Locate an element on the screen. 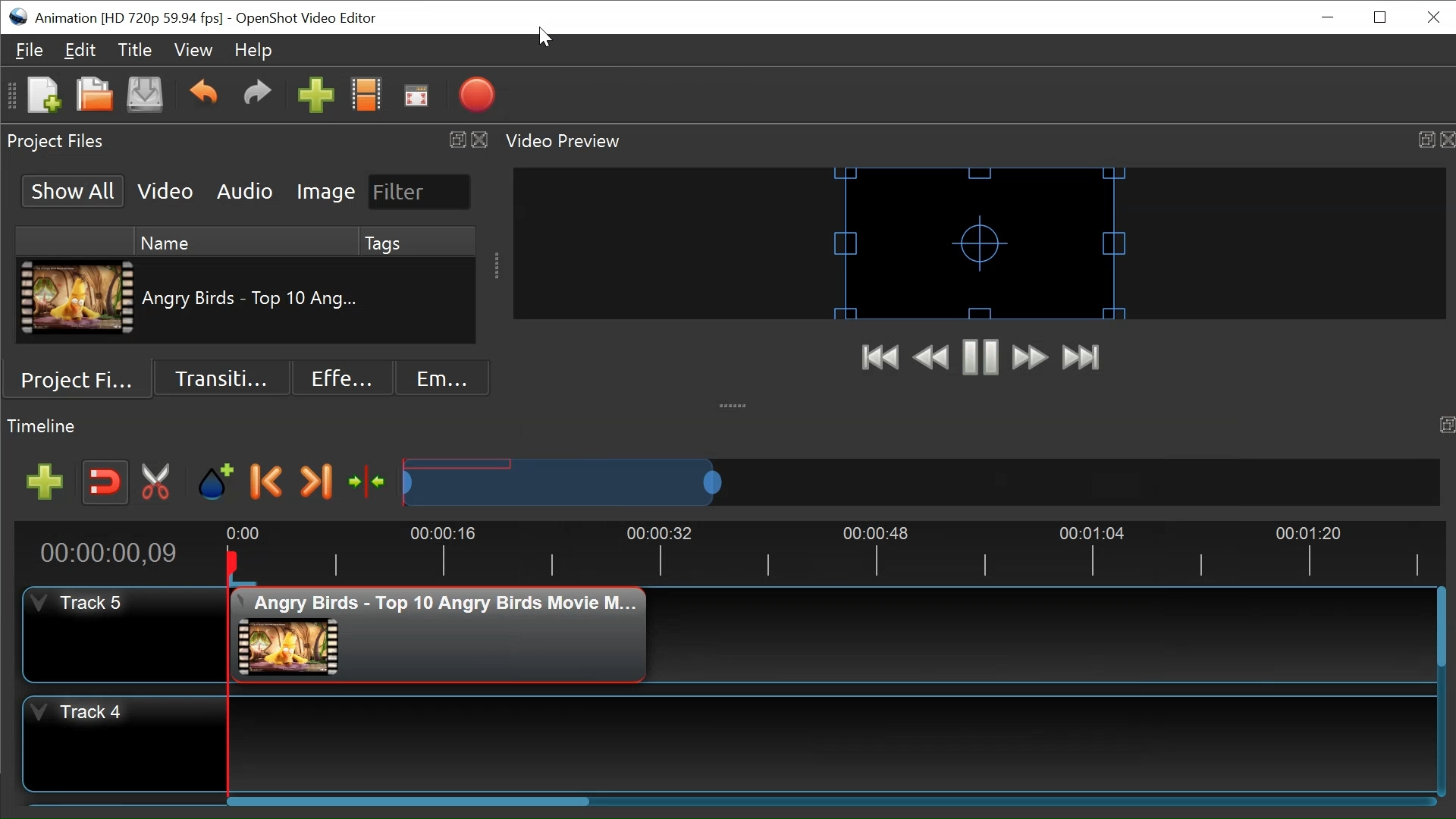 The image size is (1456, 819). Title is located at coordinates (134, 49).